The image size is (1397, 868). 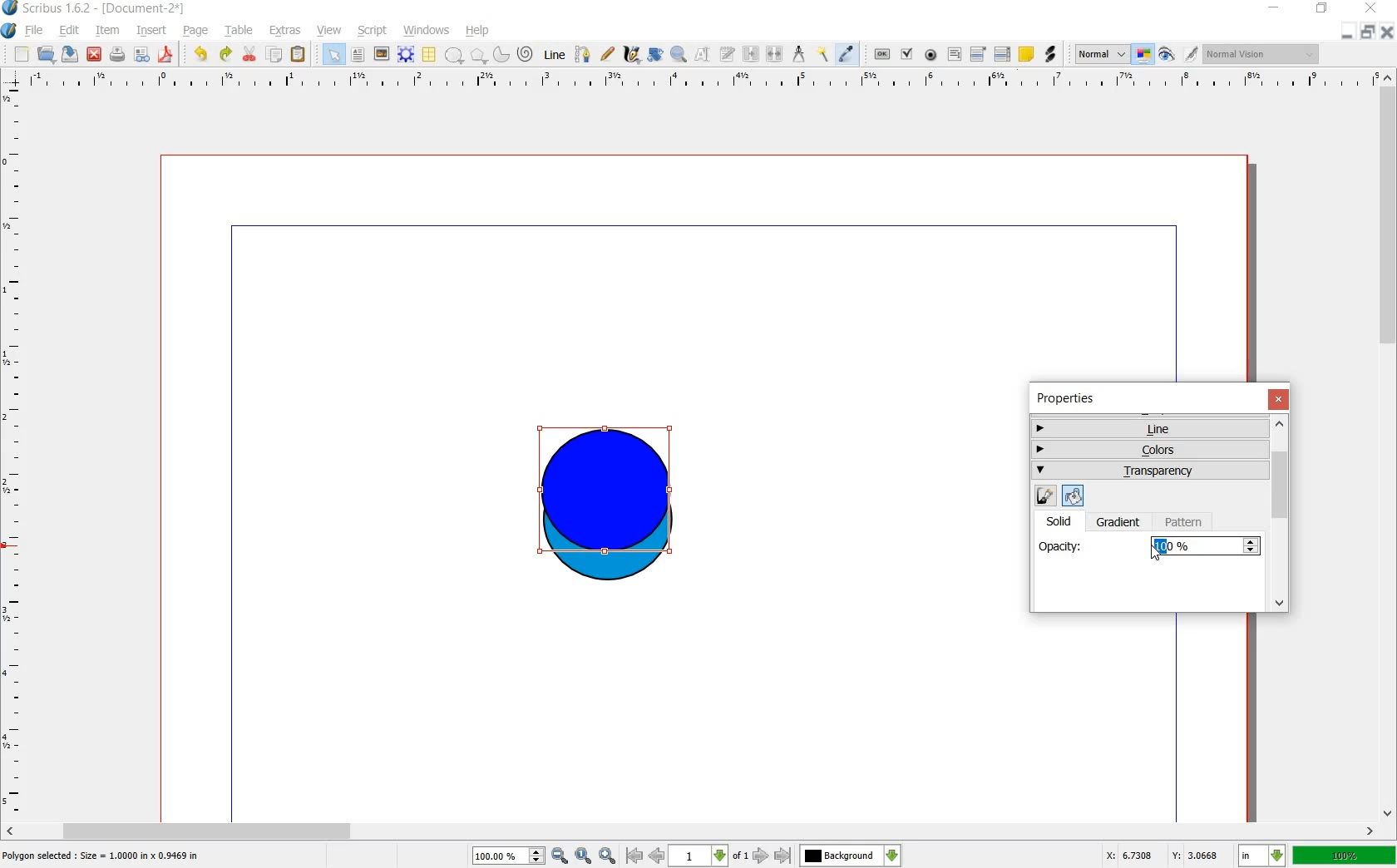 What do you see at coordinates (13, 451) in the screenshot?
I see `ruler` at bounding box center [13, 451].